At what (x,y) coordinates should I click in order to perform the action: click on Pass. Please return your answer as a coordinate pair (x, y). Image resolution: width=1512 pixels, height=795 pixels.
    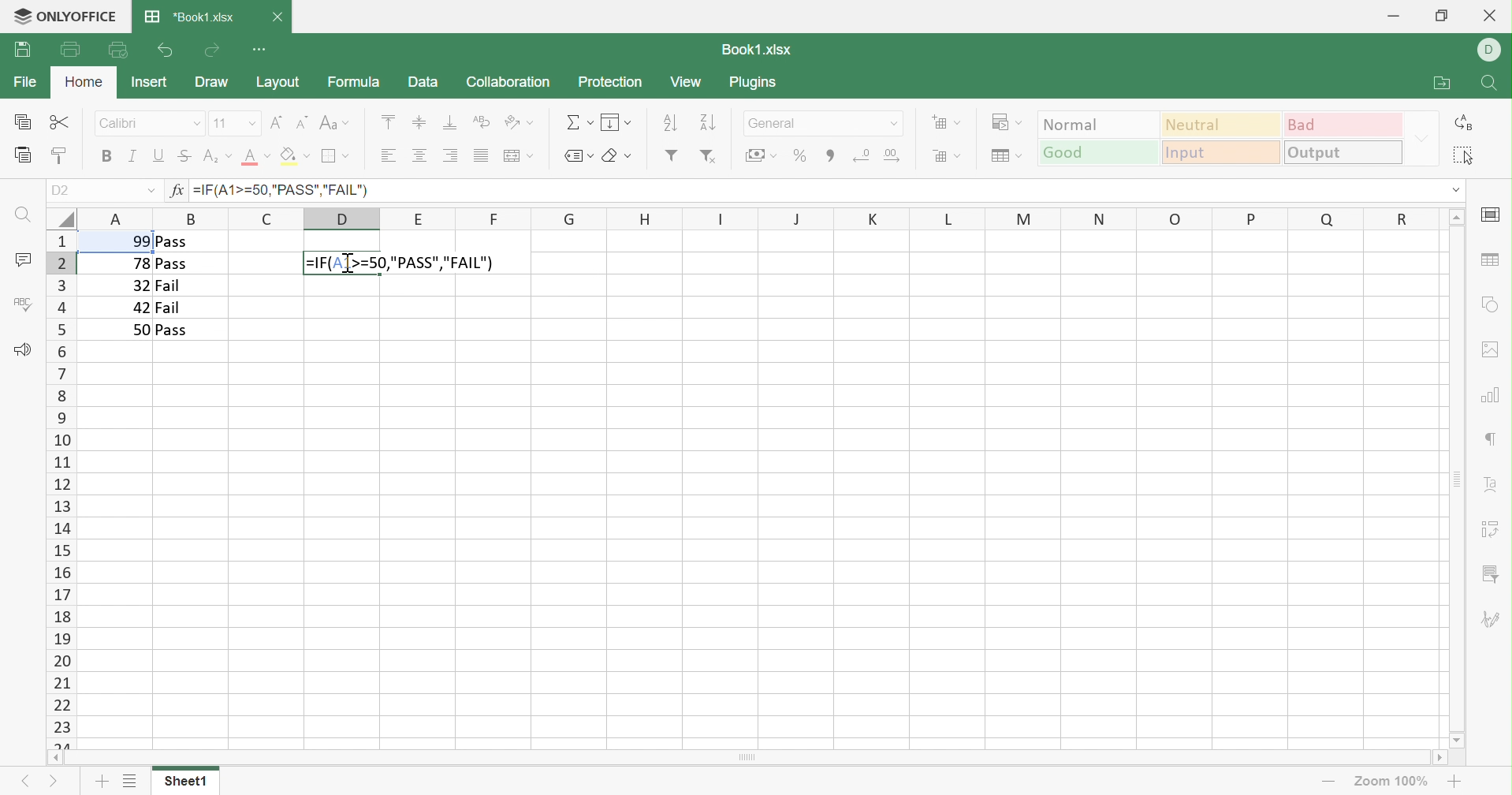
    Looking at the image, I should click on (173, 330).